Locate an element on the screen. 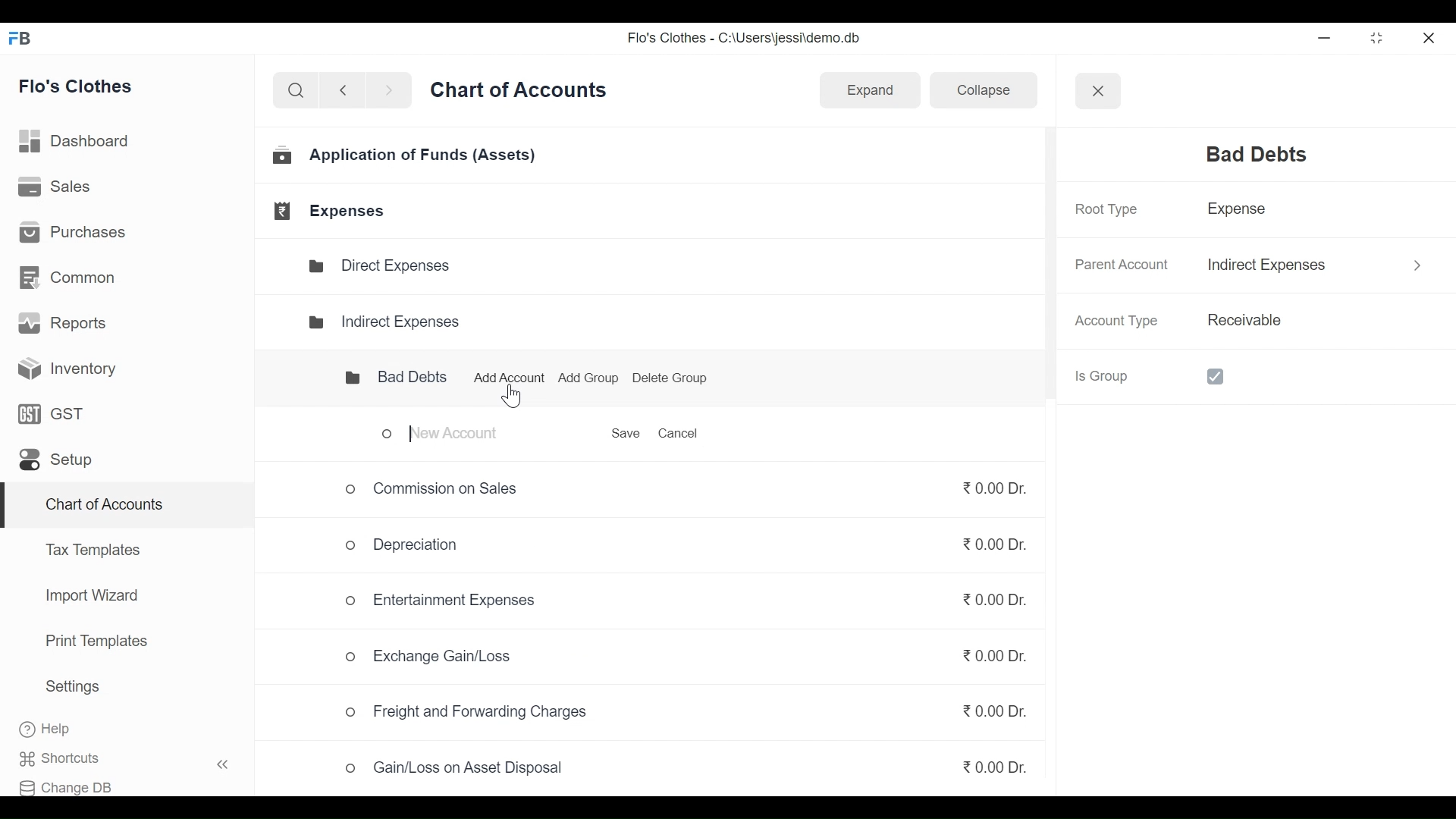 The width and height of the screenshot is (1456, 819). Common is located at coordinates (69, 276).